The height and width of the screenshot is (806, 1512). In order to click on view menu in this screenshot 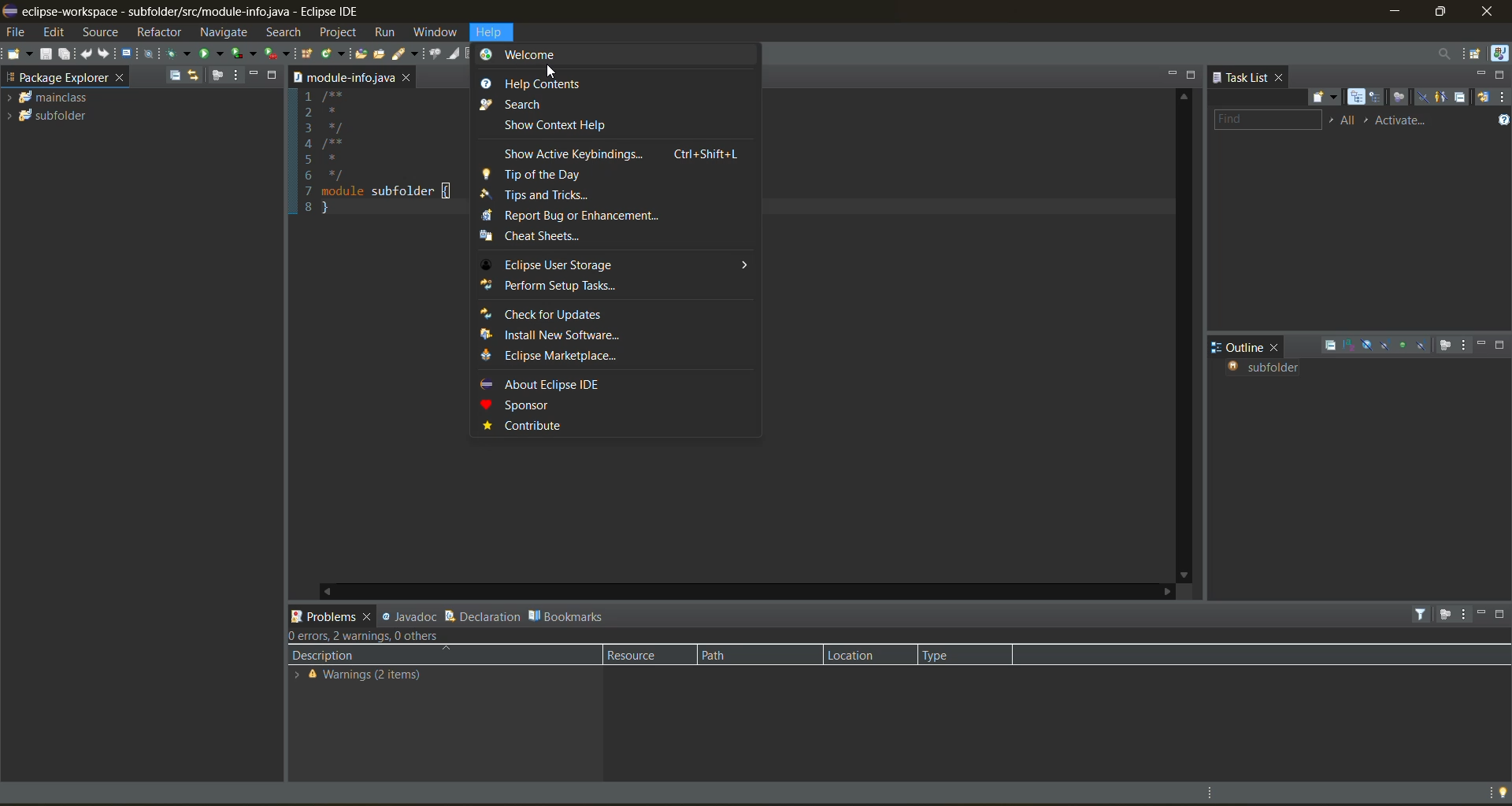, I will do `click(1503, 97)`.